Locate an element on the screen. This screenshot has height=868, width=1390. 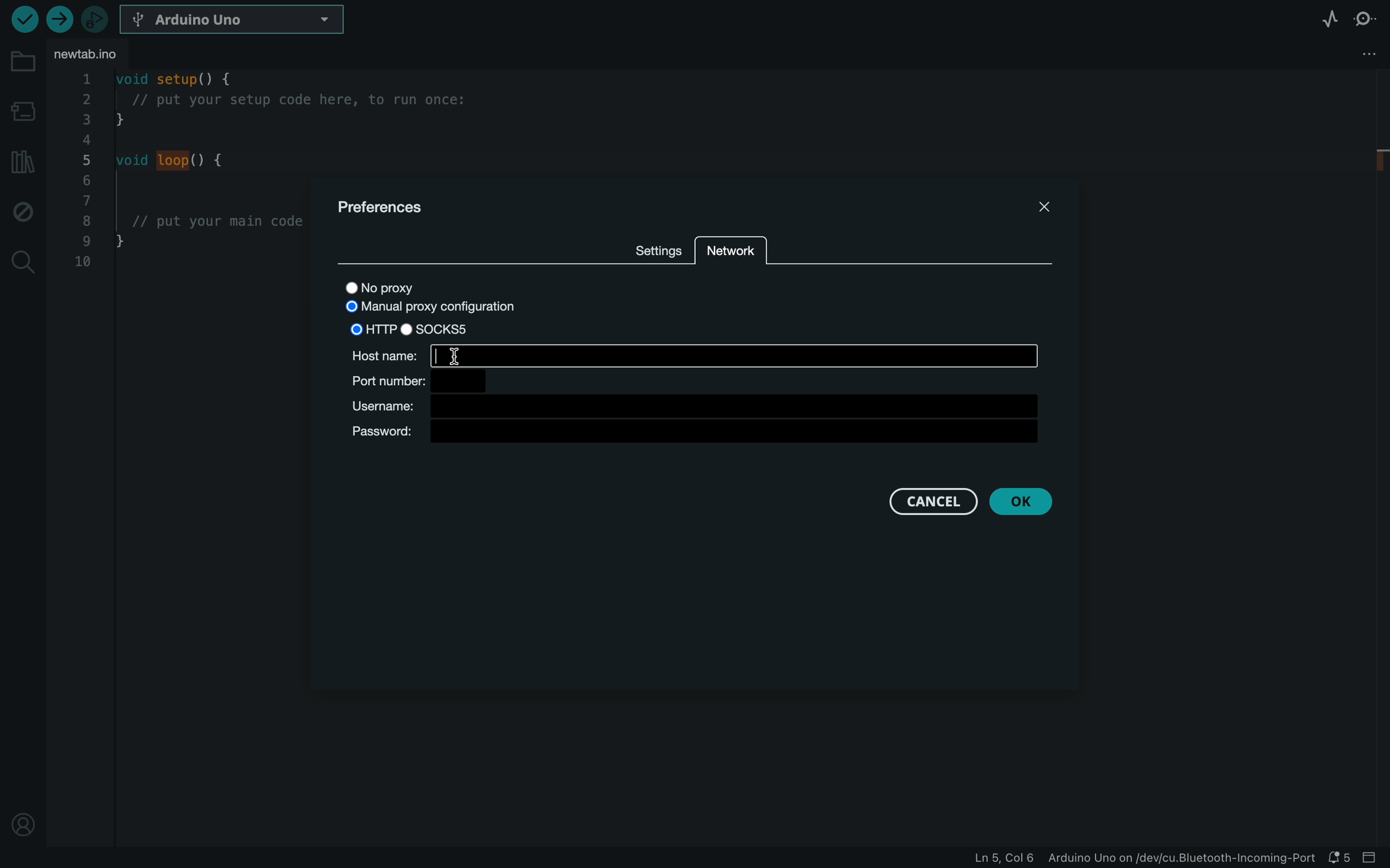
file information is located at coordinates (1142, 858).